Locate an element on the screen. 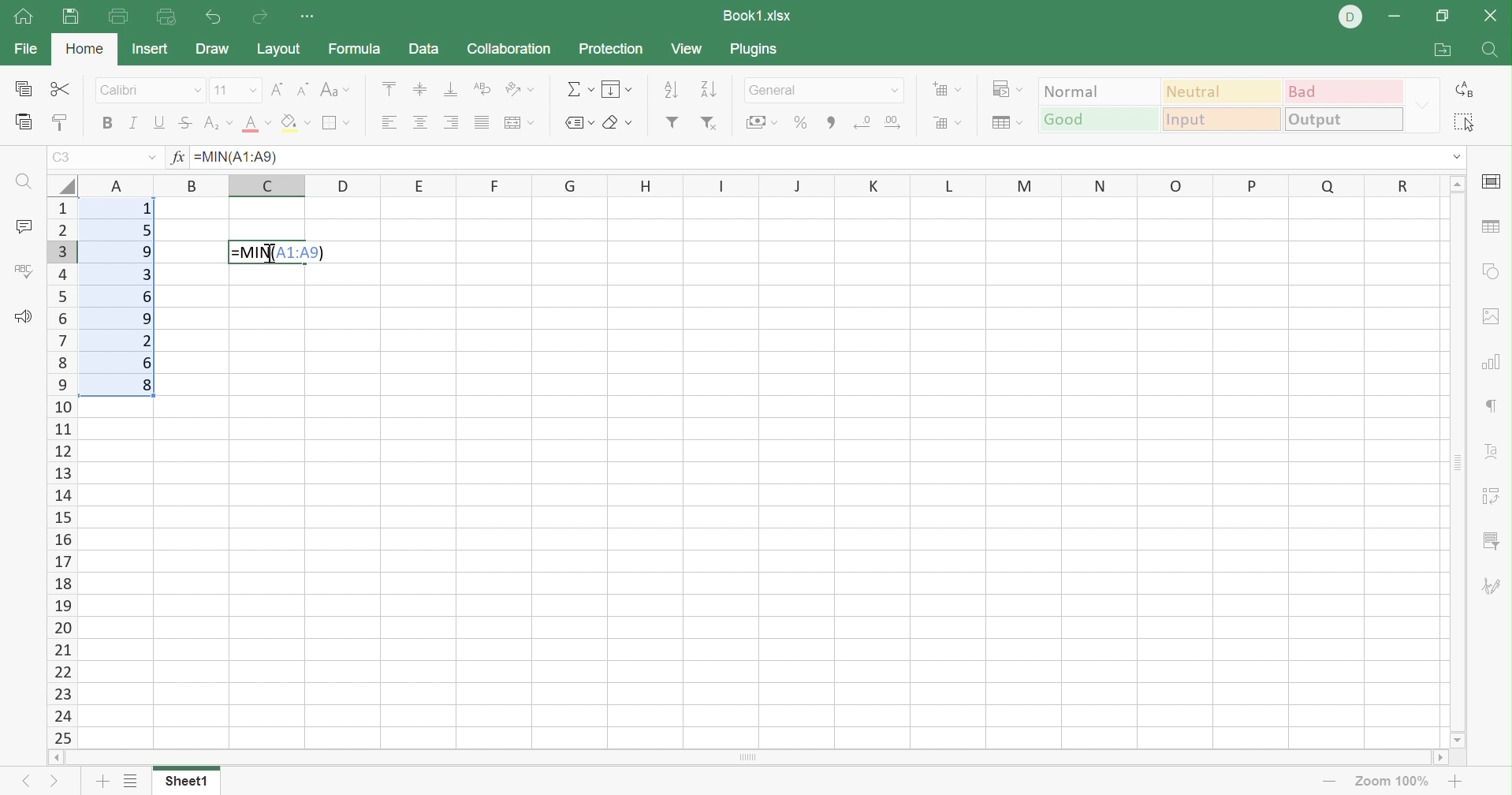 This screenshot has width=1512, height=795. Wrap Text is located at coordinates (482, 88).